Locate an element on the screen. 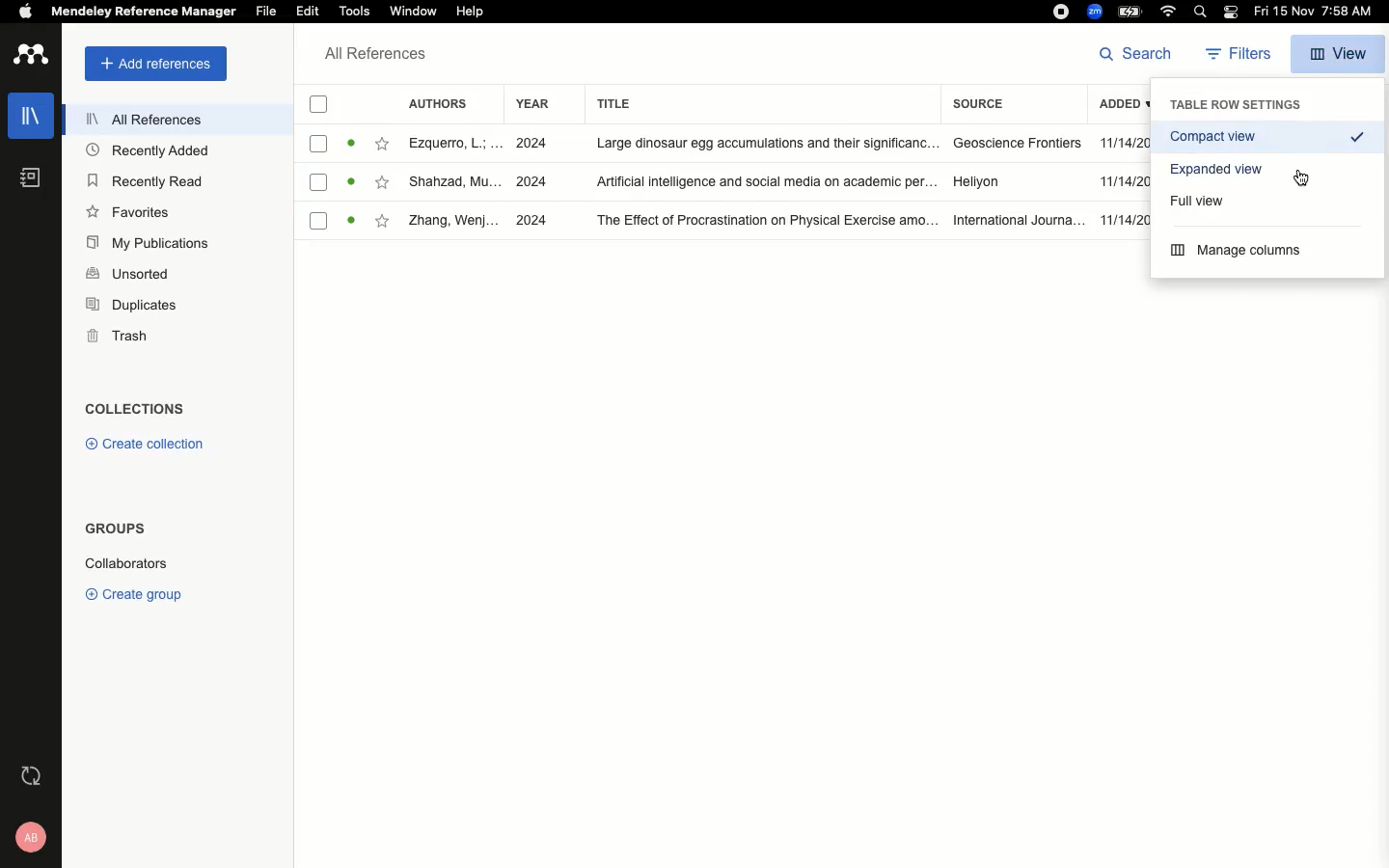 The image size is (1389, 868). The effect of Procastination on Physical Exercise amo... is located at coordinates (757, 220).